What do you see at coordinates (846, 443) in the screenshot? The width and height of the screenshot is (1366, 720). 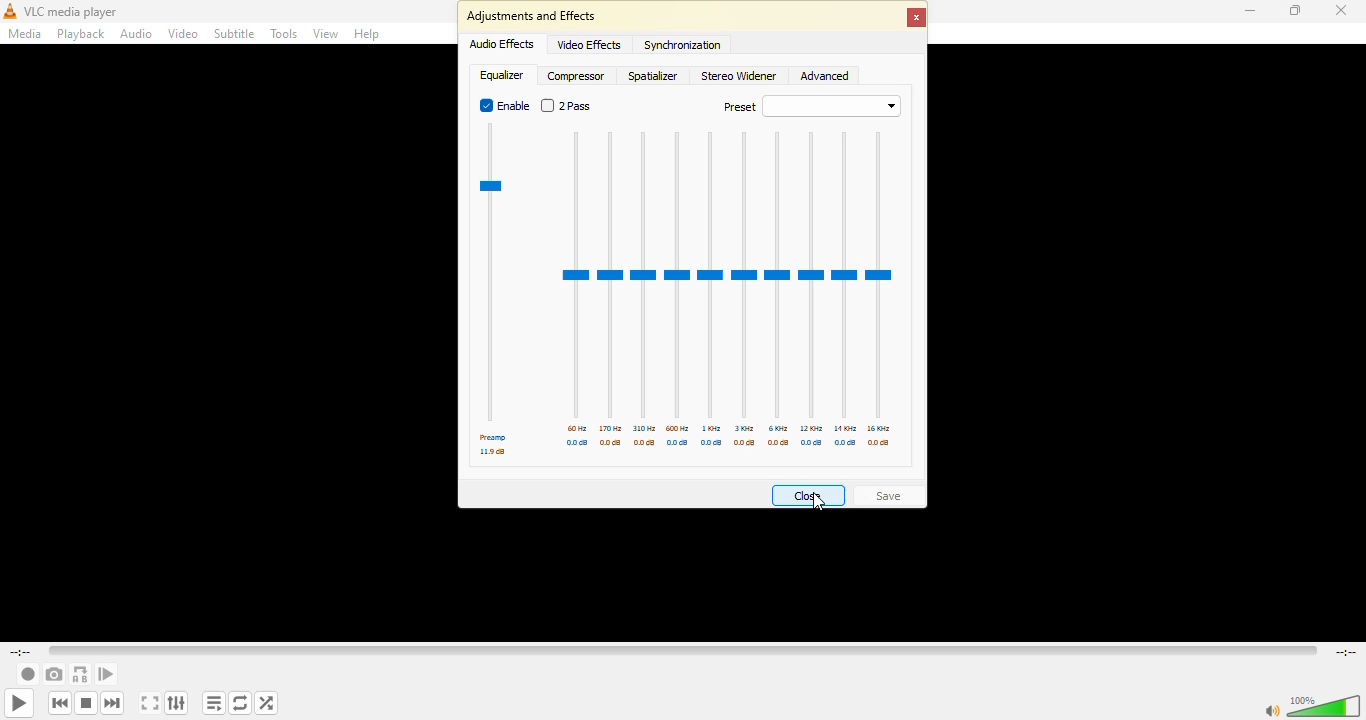 I see `db` at bounding box center [846, 443].